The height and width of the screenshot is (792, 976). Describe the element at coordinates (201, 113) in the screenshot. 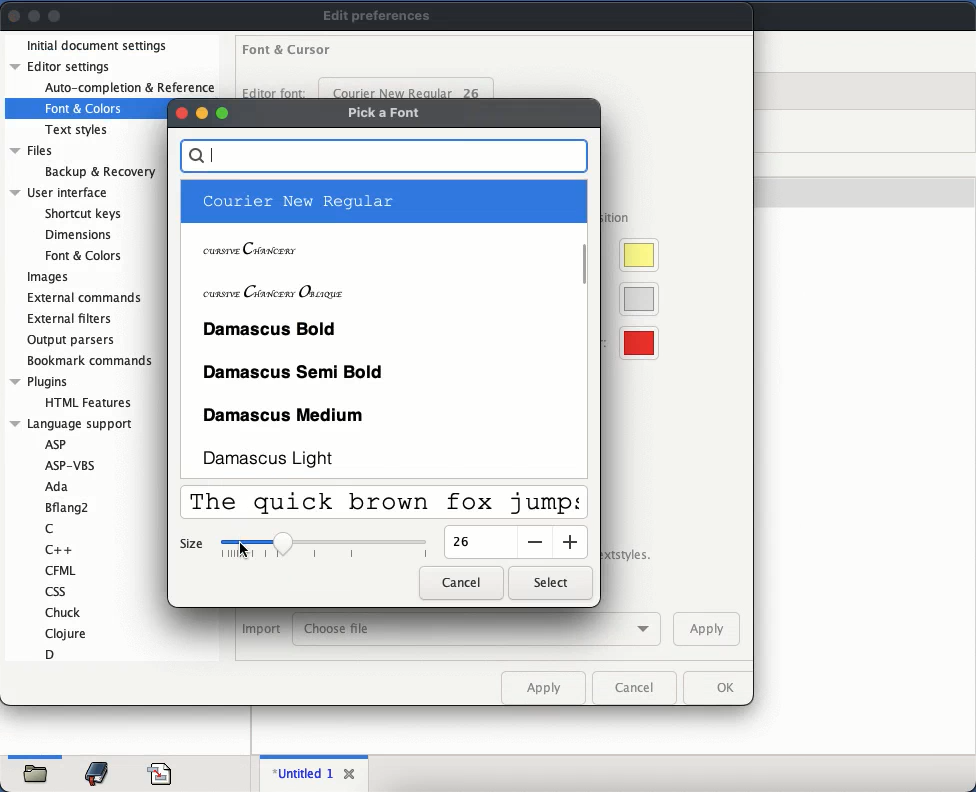

I see `minimize` at that location.